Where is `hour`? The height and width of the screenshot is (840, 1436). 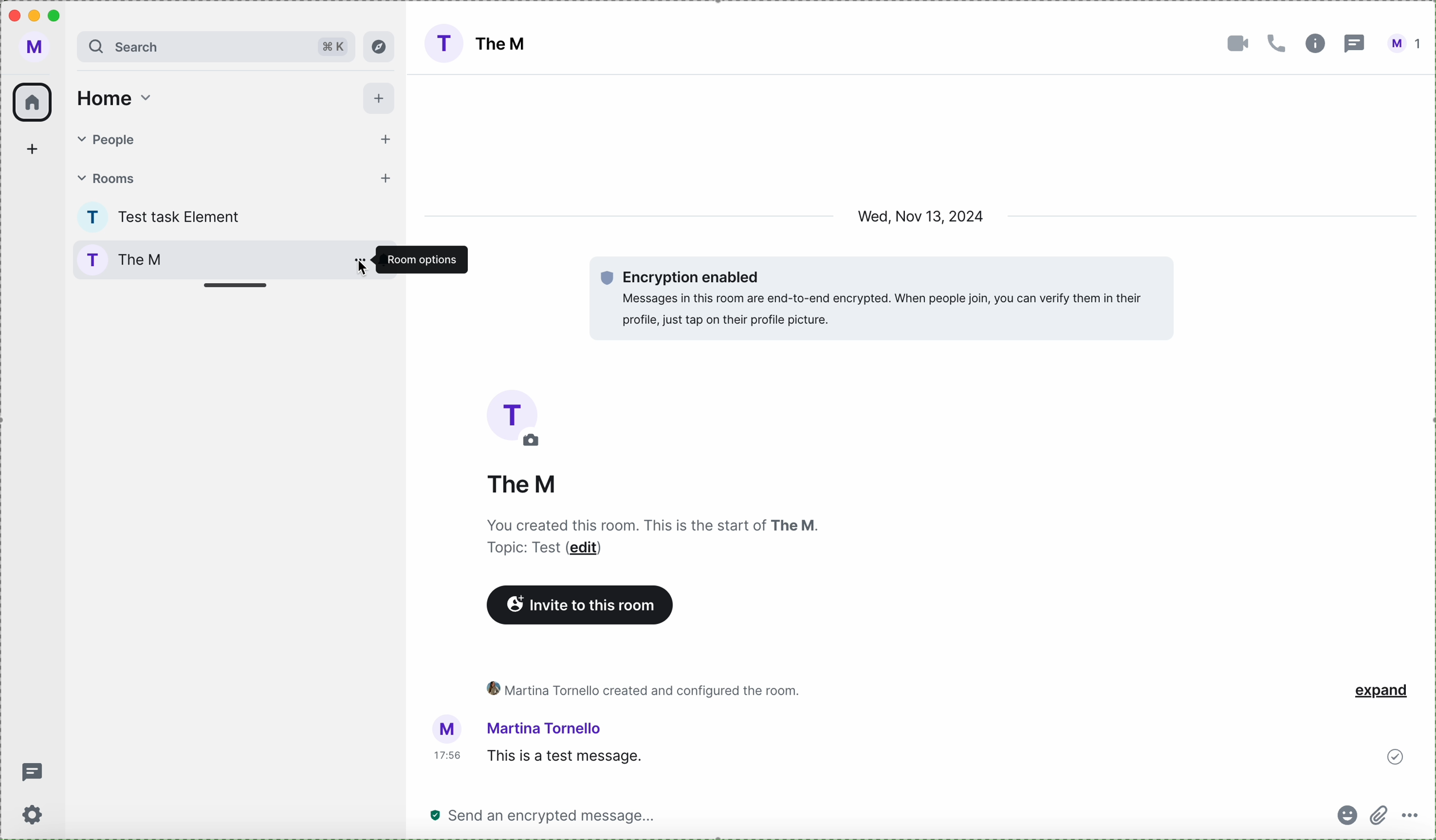
hour is located at coordinates (445, 759).